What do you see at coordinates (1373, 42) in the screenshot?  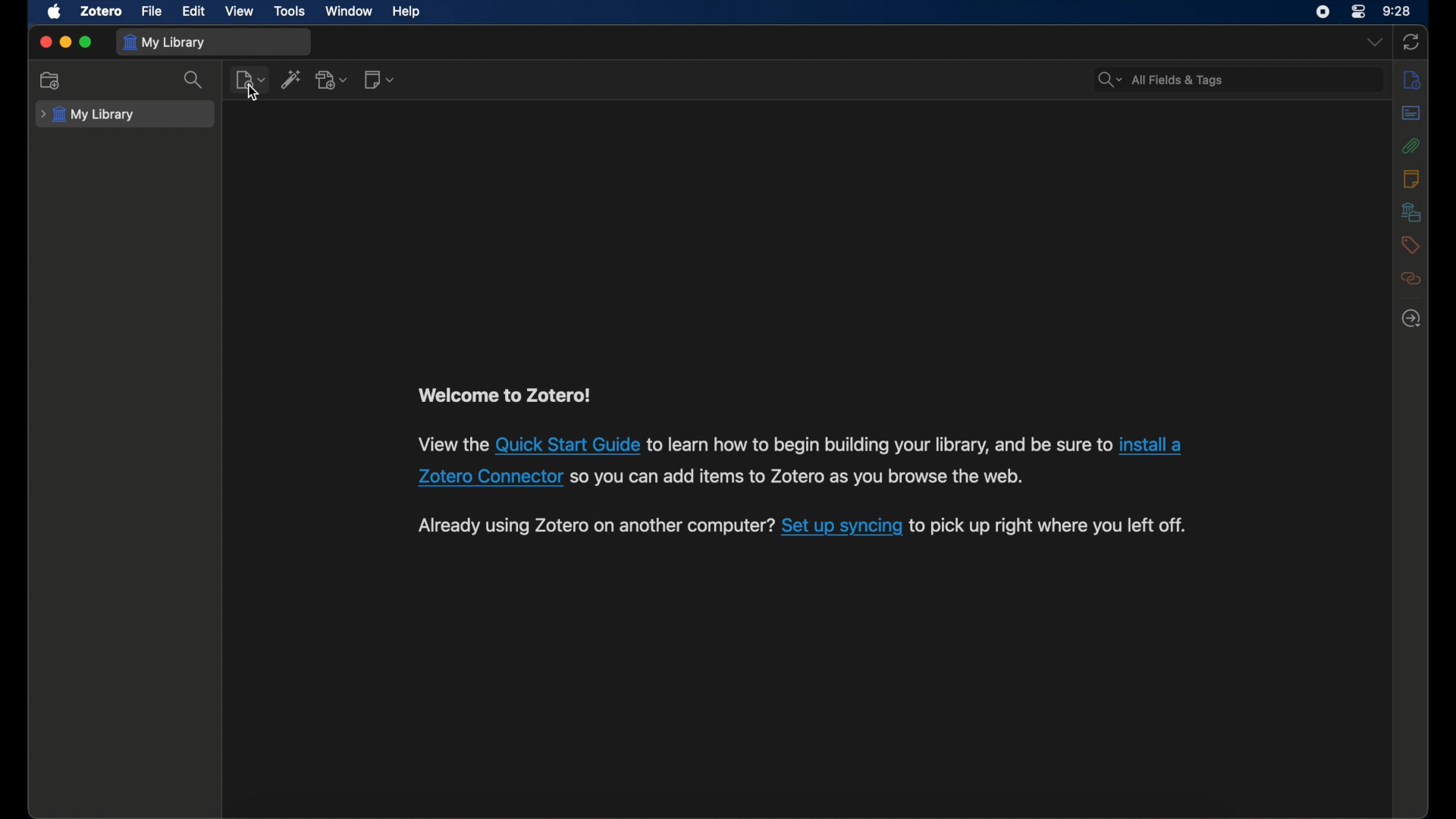 I see `dropdown` at bounding box center [1373, 42].